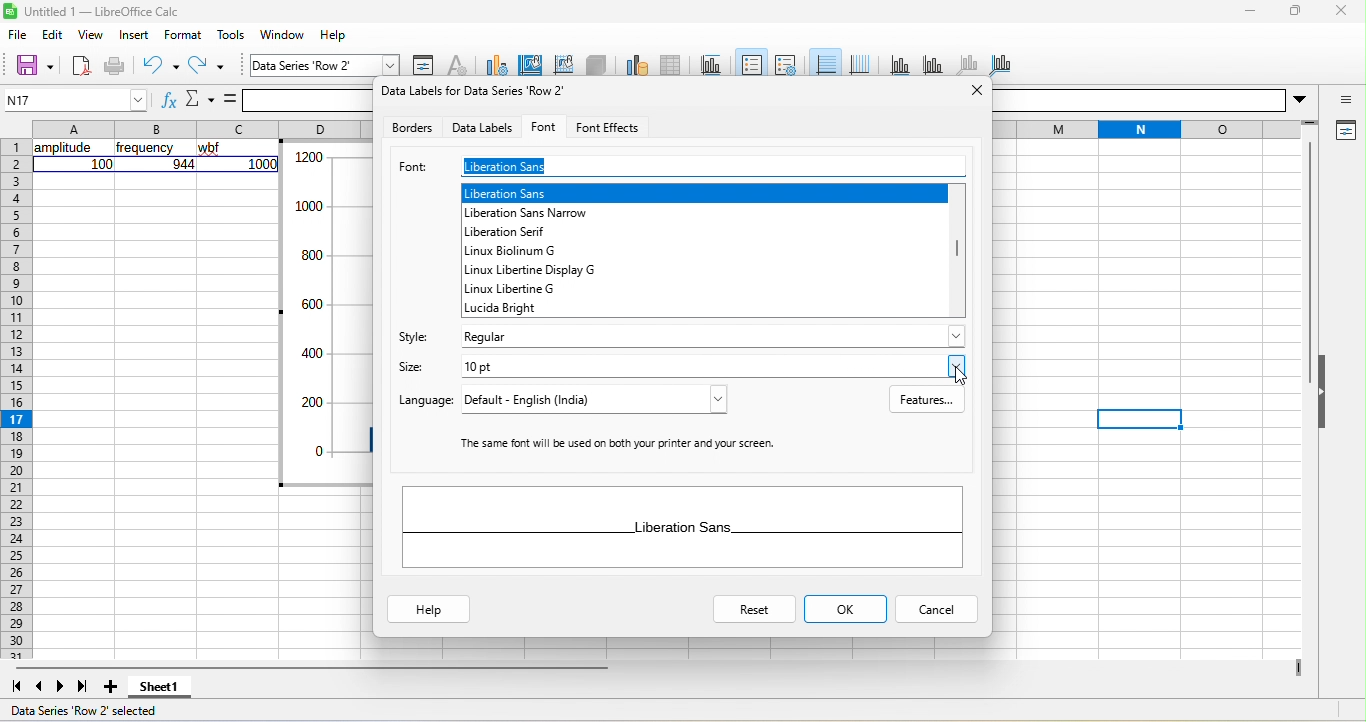 The width and height of the screenshot is (1366, 722). What do you see at coordinates (711, 64) in the screenshot?
I see `title` at bounding box center [711, 64].